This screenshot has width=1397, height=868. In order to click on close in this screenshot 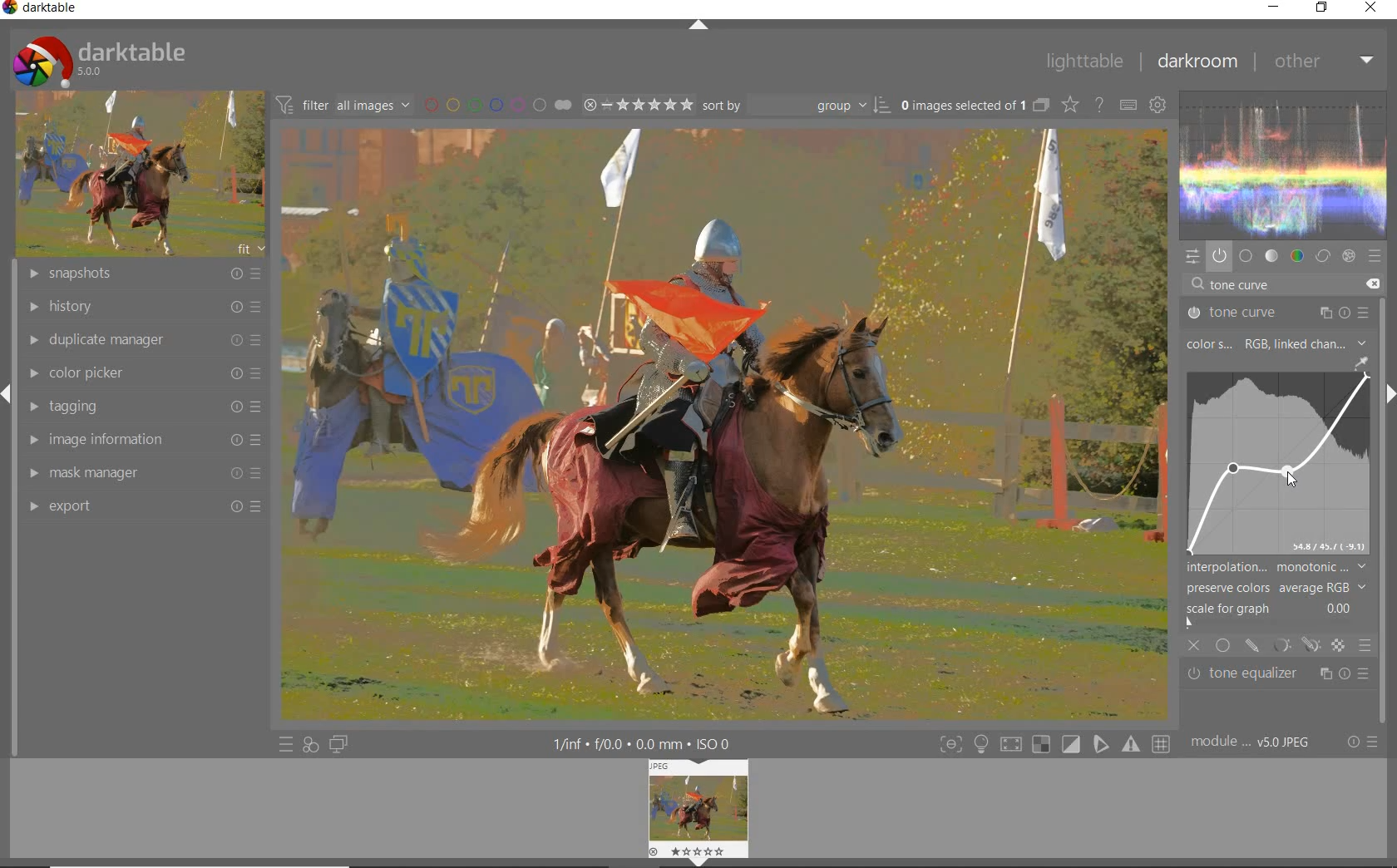, I will do `click(1195, 647)`.